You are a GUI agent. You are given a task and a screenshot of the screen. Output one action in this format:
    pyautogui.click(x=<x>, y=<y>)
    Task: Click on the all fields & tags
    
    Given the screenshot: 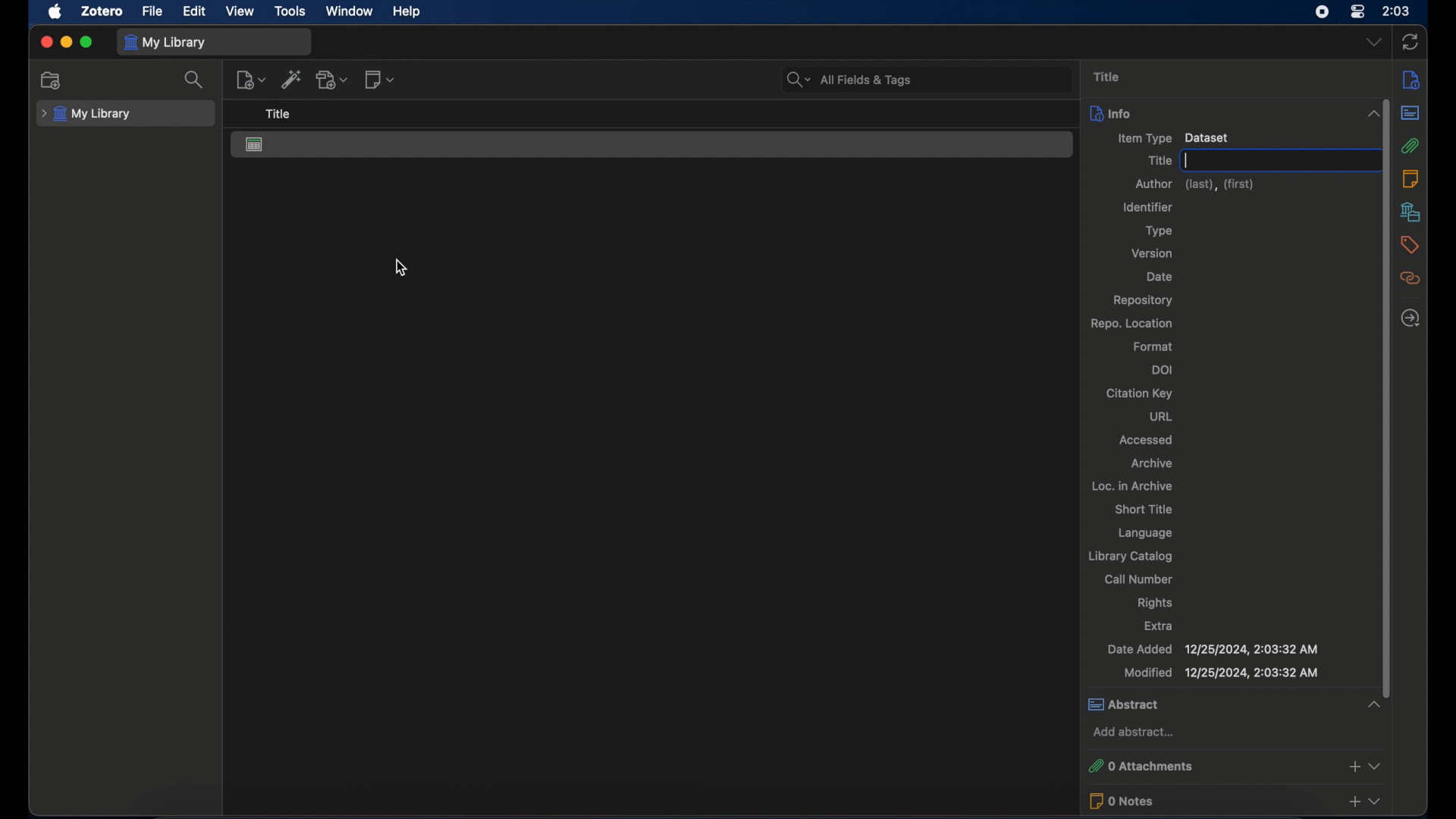 What is the action you would take?
    pyautogui.click(x=848, y=80)
    